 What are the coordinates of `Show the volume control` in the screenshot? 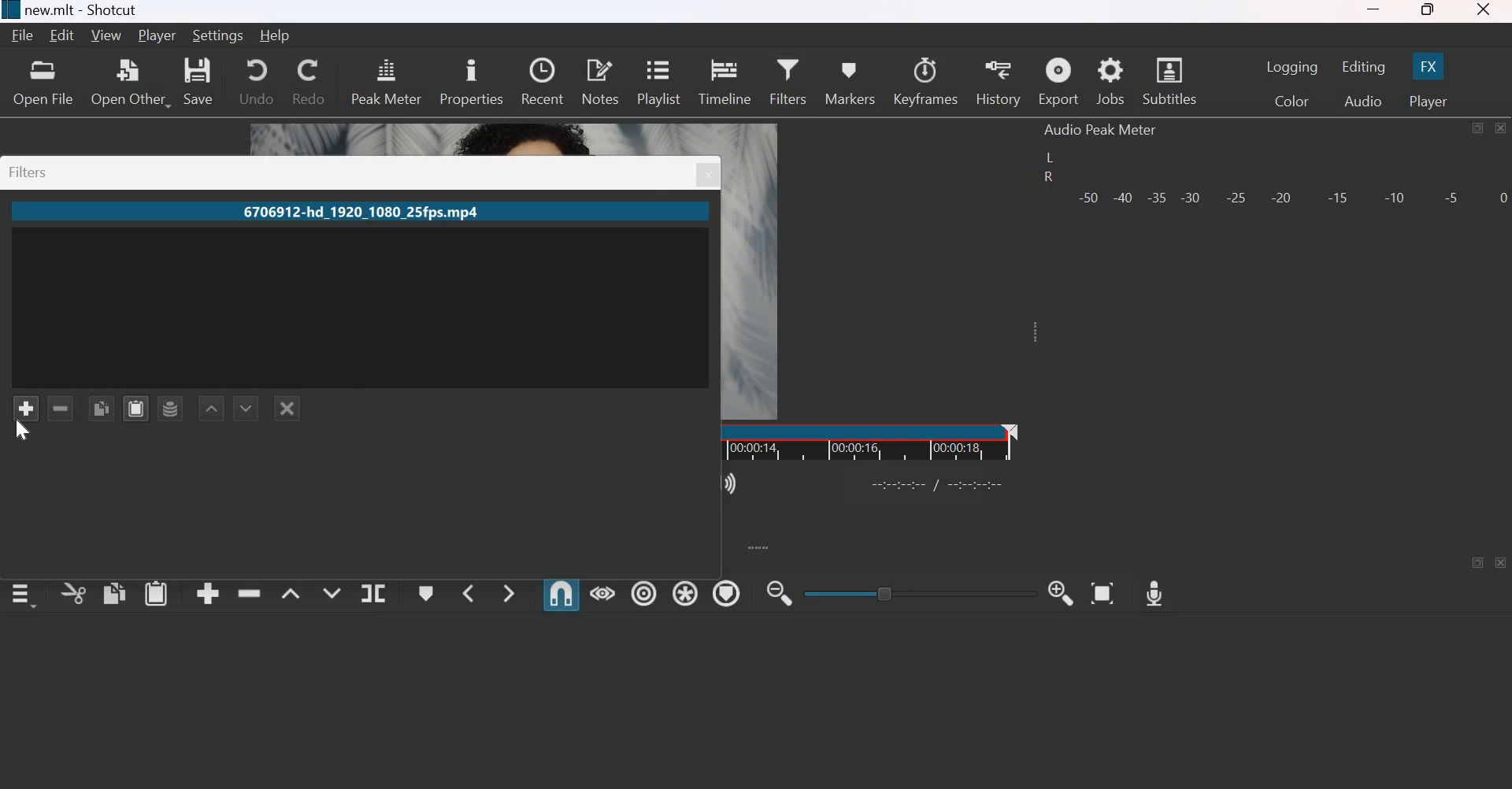 It's located at (732, 481).